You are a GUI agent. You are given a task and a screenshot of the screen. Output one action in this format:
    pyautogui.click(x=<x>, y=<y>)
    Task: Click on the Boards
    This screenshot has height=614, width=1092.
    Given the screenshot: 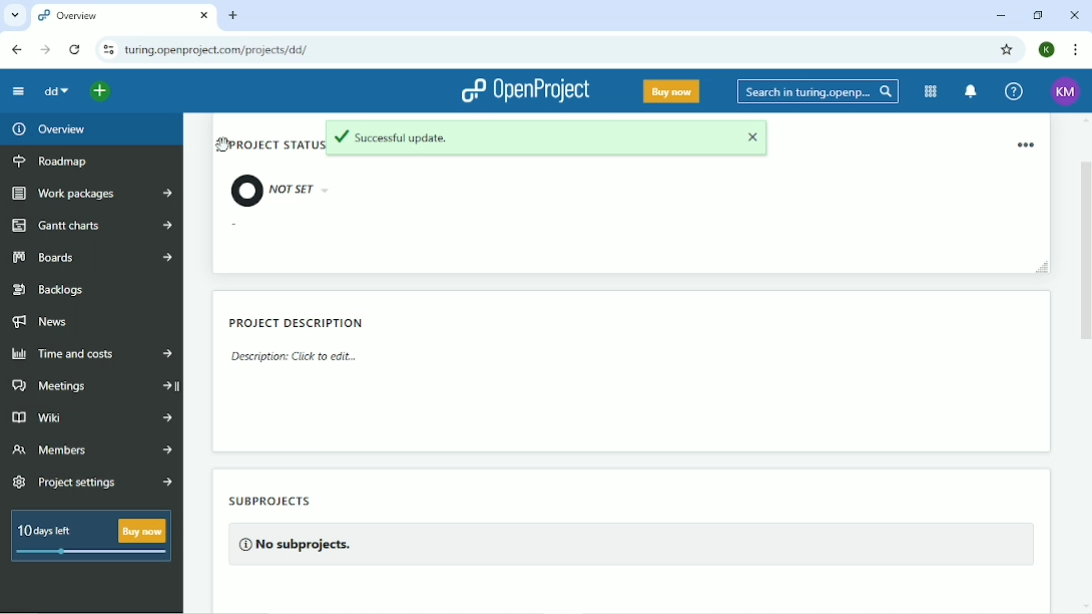 What is the action you would take?
    pyautogui.click(x=89, y=258)
    